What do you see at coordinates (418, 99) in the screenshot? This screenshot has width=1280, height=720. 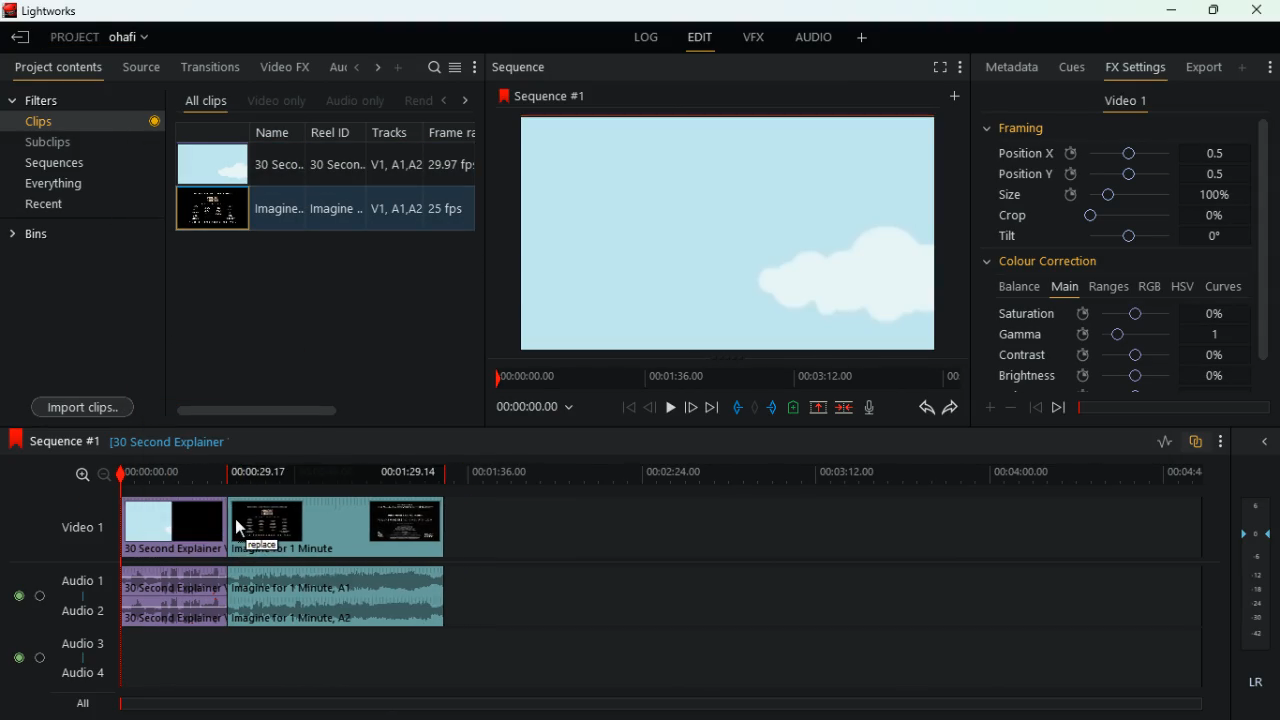 I see `rend` at bounding box center [418, 99].